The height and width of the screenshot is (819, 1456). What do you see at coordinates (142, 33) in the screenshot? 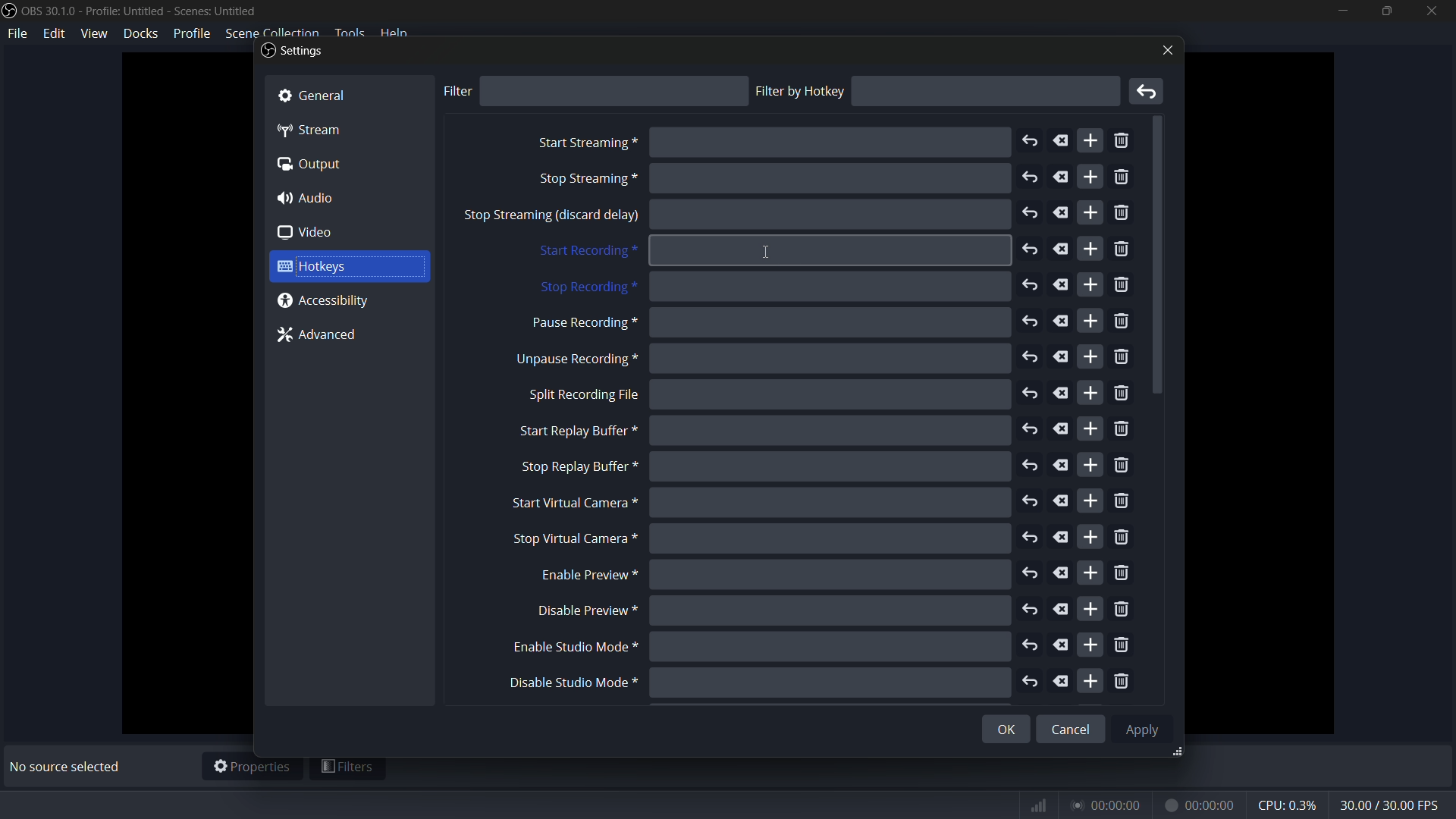
I see `docks menu` at bounding box center [142, 33].